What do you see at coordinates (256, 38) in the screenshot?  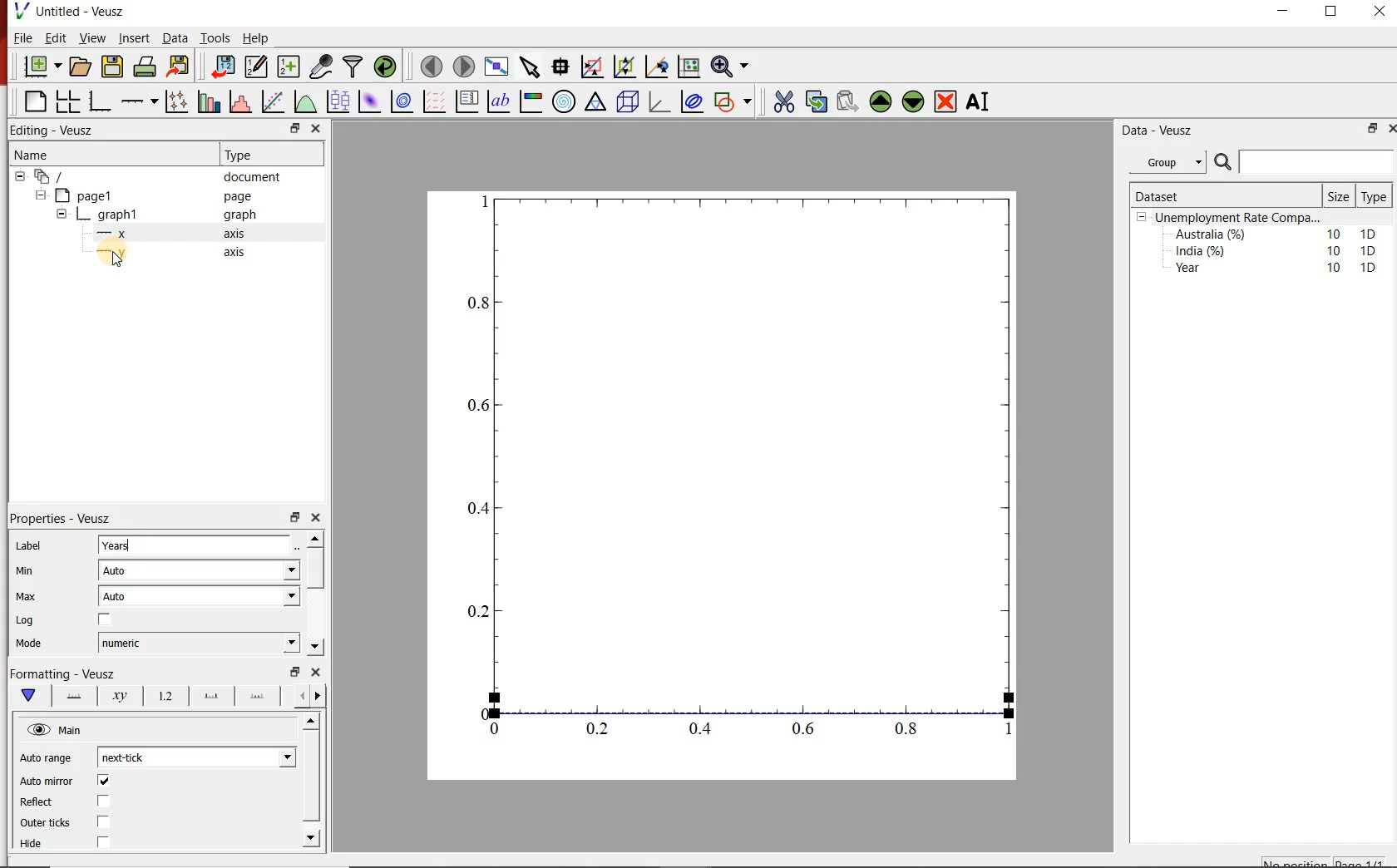 I see `Help` at bounding box center [256, 38].